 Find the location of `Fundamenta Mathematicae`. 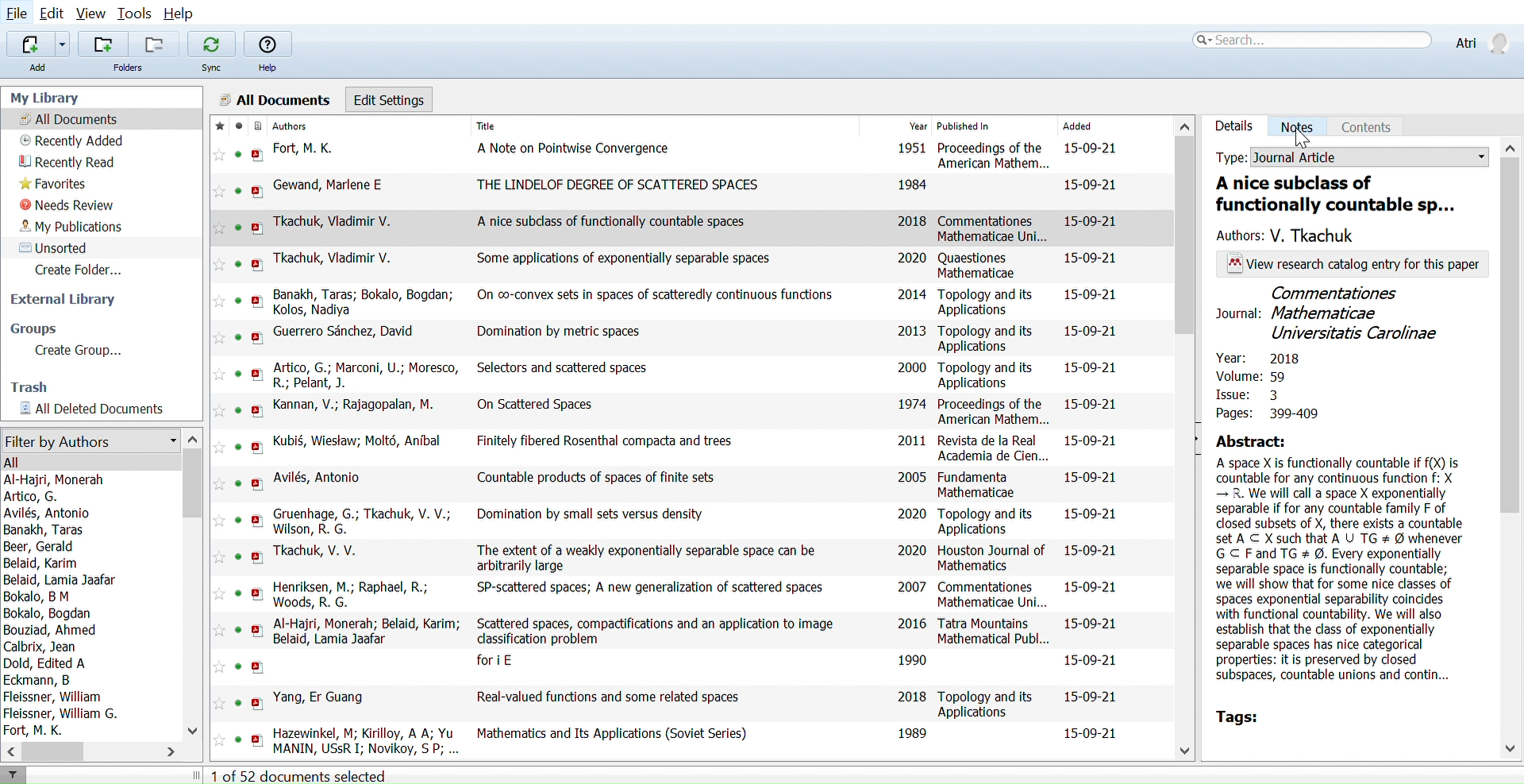

Fundamenta Mathematicae is located at coordinates (981, 483).